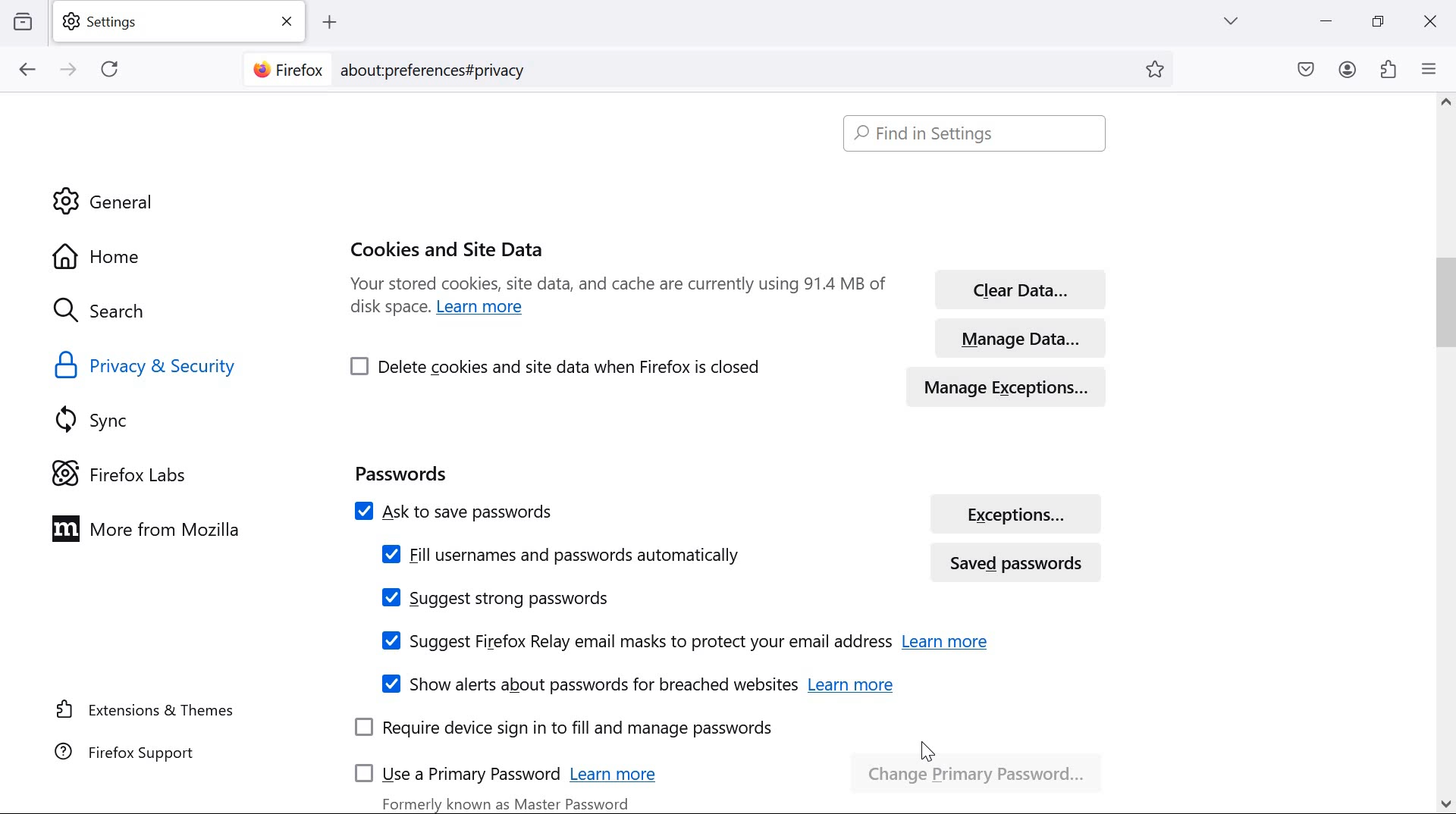  Describe the element at coordinates (1327, 21) in the screenshot. I see `minimize` at that location.